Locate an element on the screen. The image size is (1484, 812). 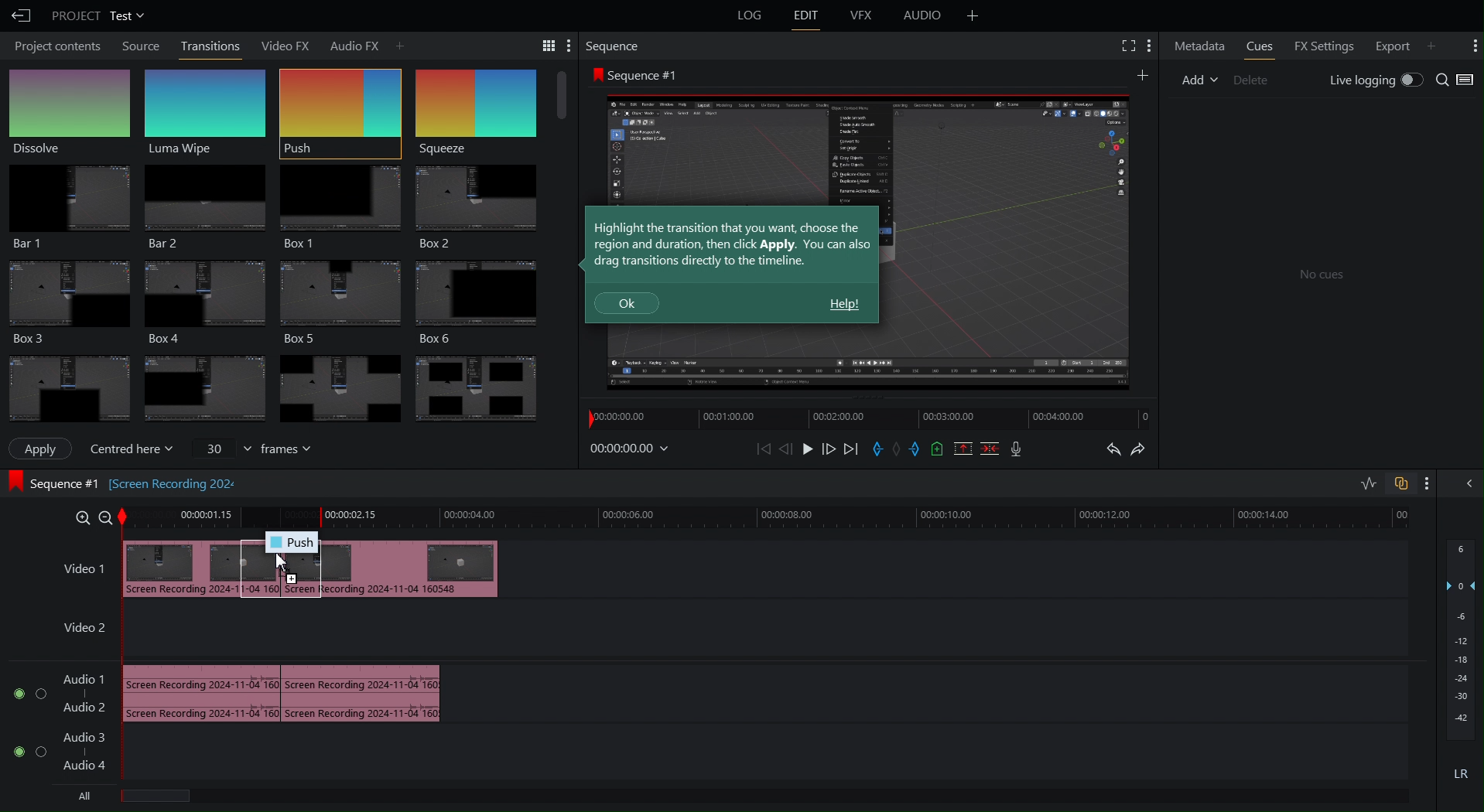
Toggles is located at coordinates (1395, 483).